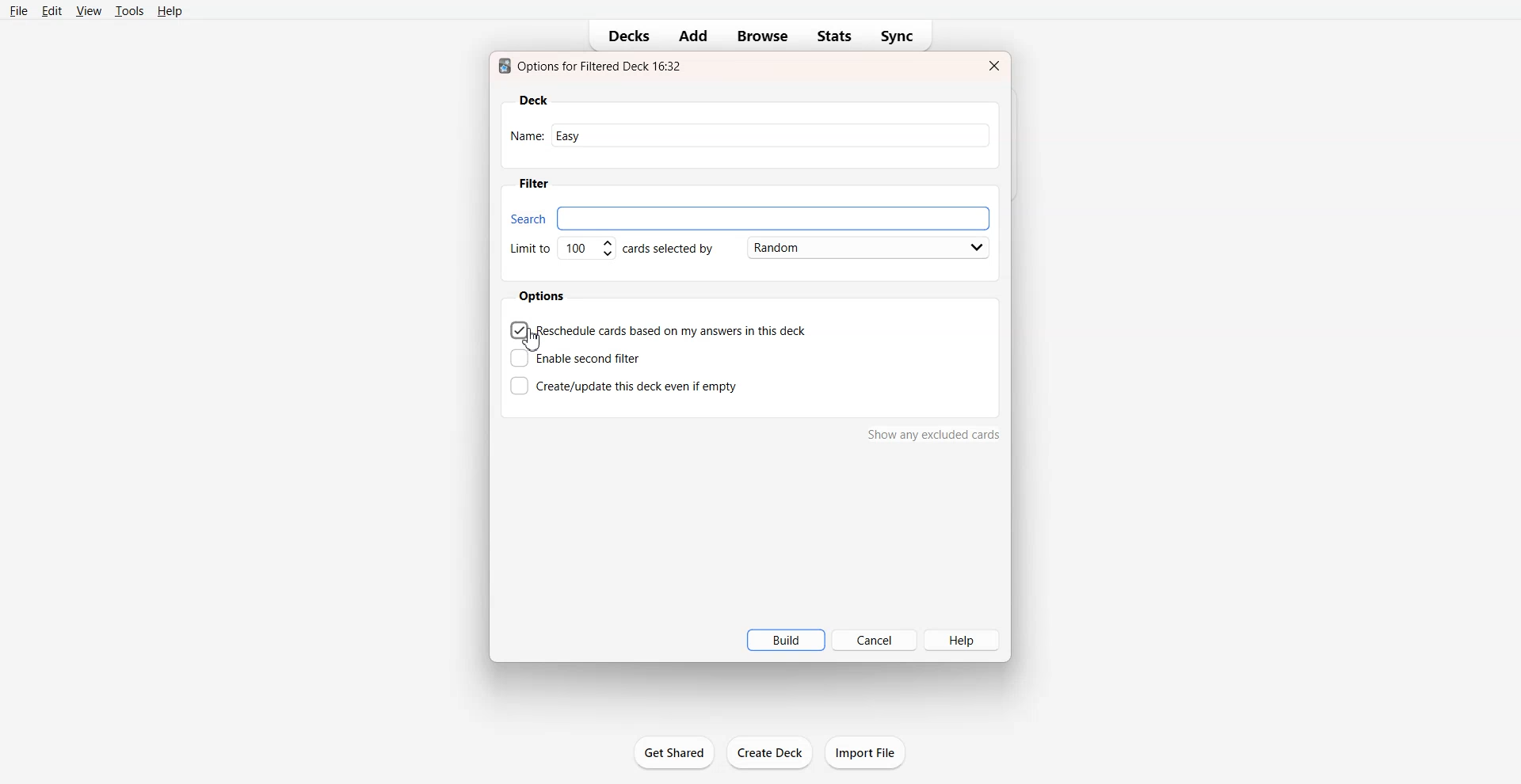  Describe the element at coordinates (53, 11) in the screenshot. I see `Edit` at that location.